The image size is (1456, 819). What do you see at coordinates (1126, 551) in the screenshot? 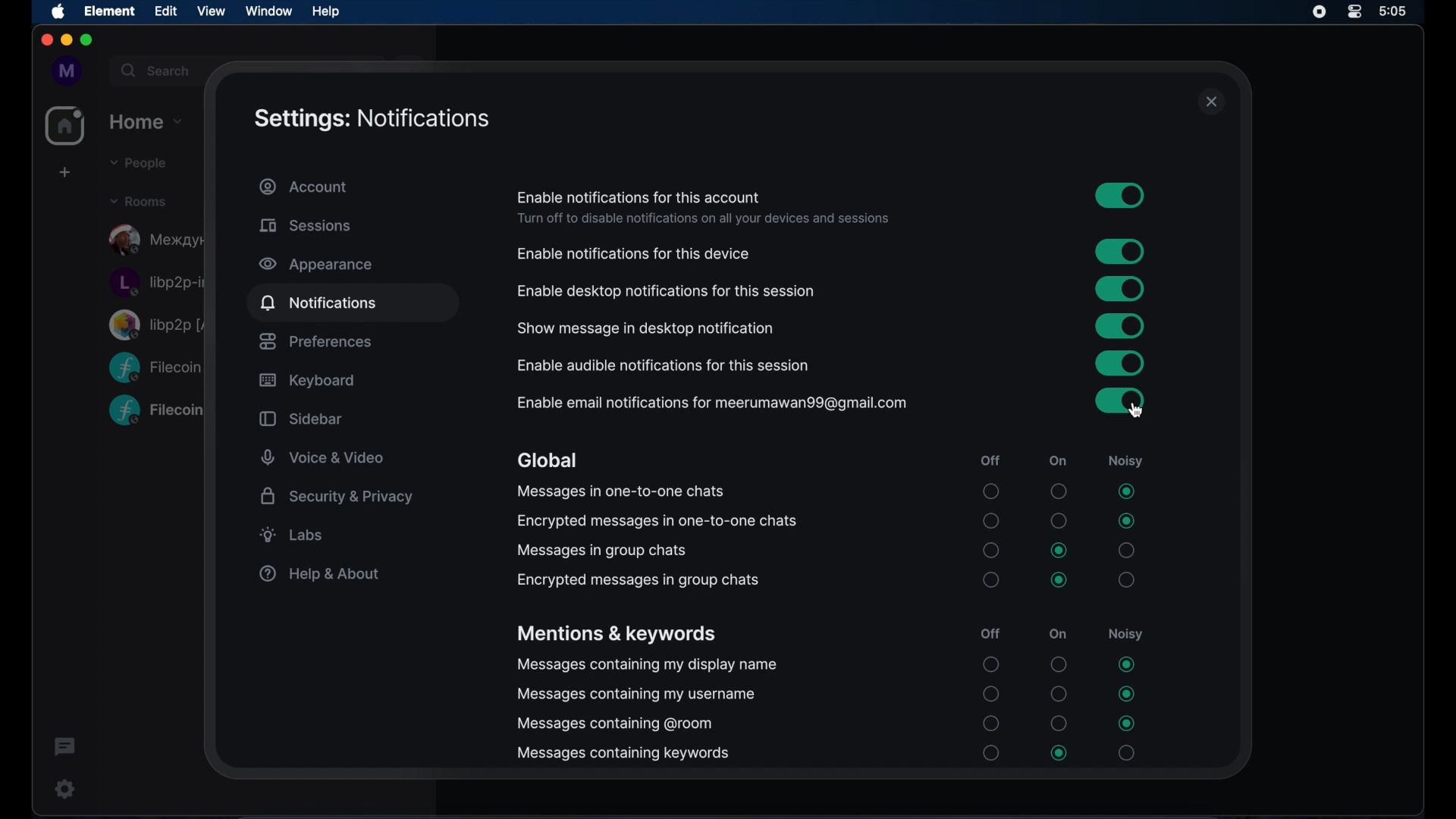
I see `radio button` at bounding box center [1126, 551].